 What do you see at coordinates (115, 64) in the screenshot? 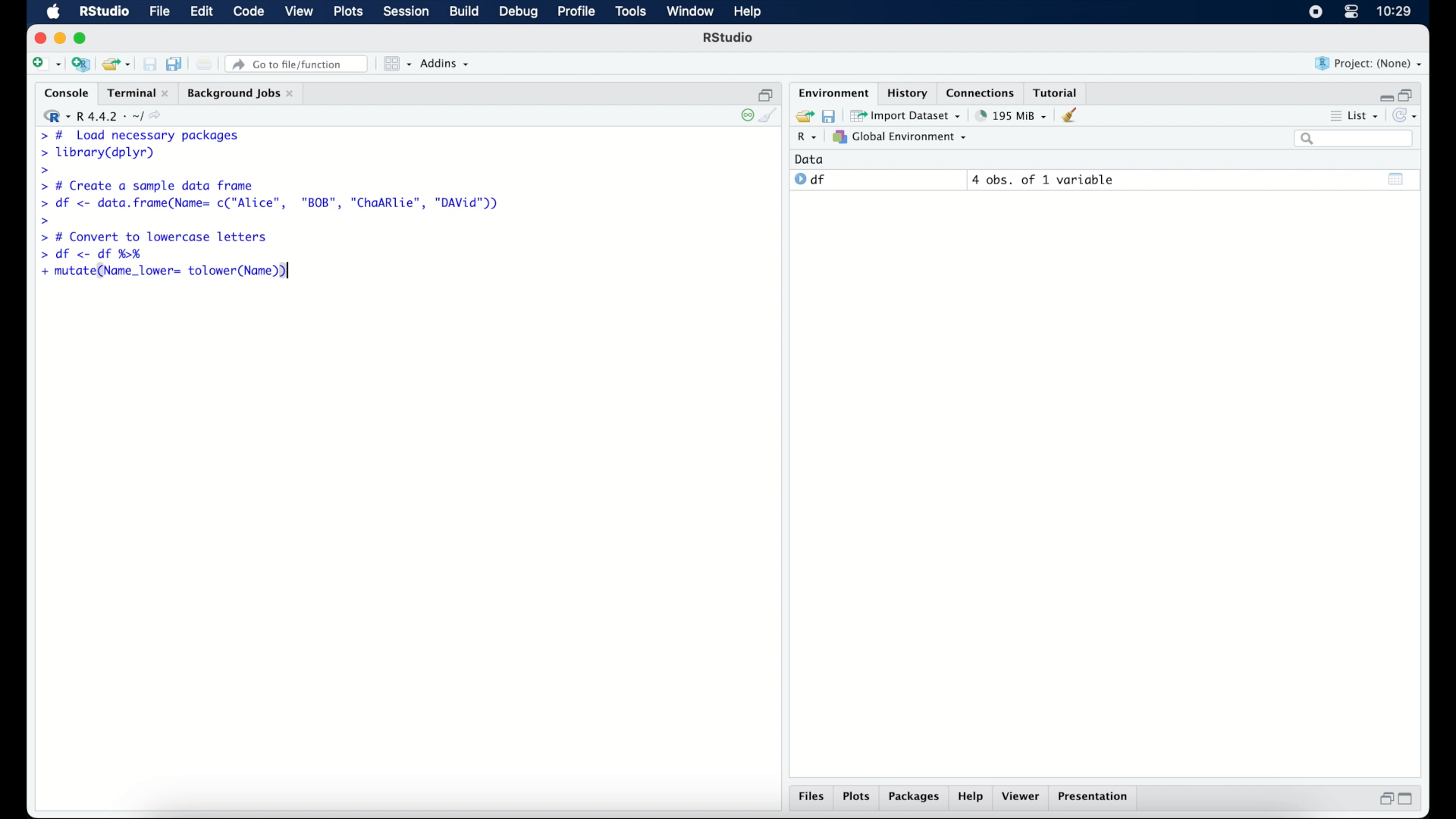
I see `load existing project` at bounding box center [115, 64].